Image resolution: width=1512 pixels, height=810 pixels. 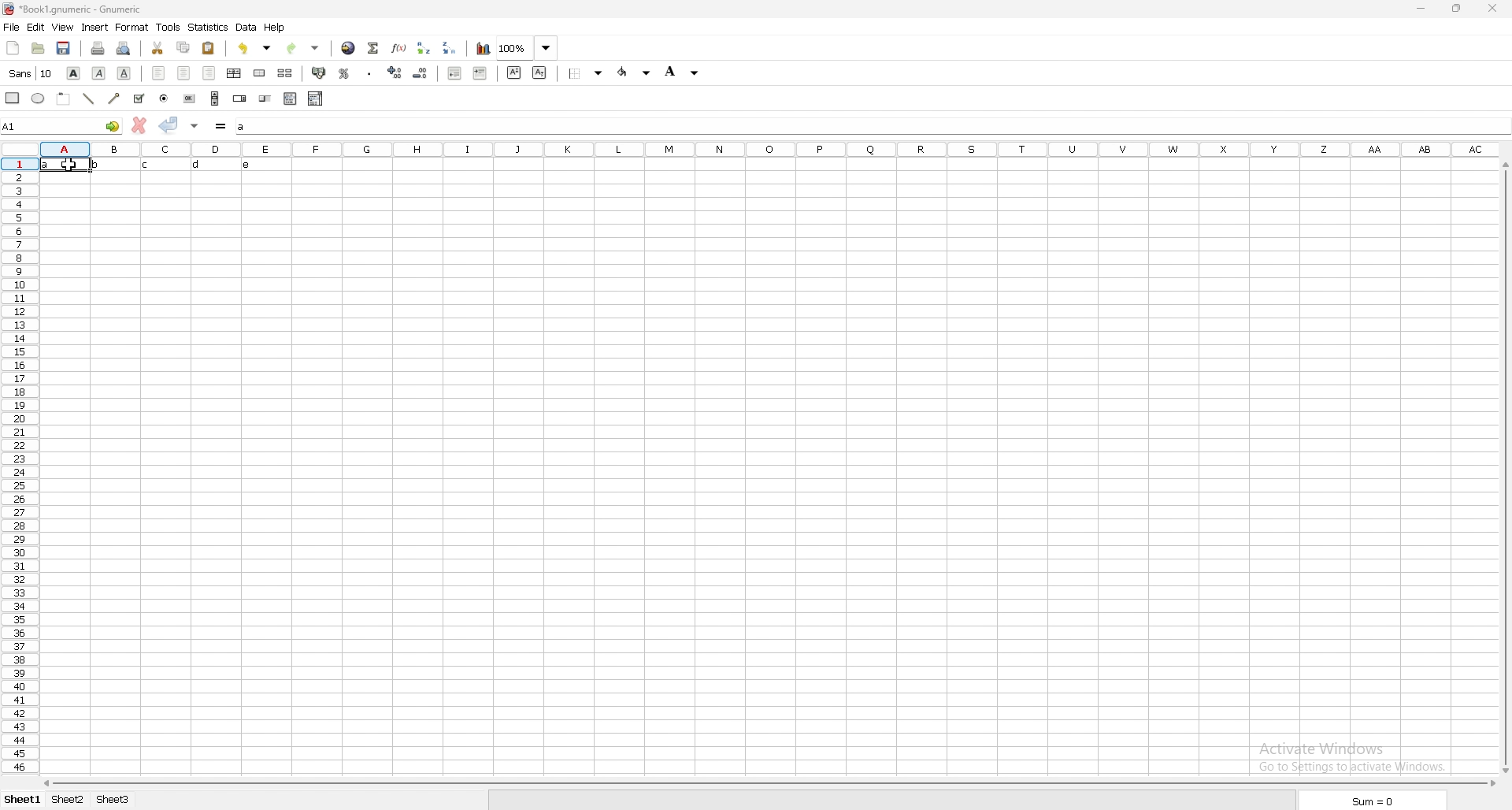 I want to click on input box, so click(x=872, y=127).